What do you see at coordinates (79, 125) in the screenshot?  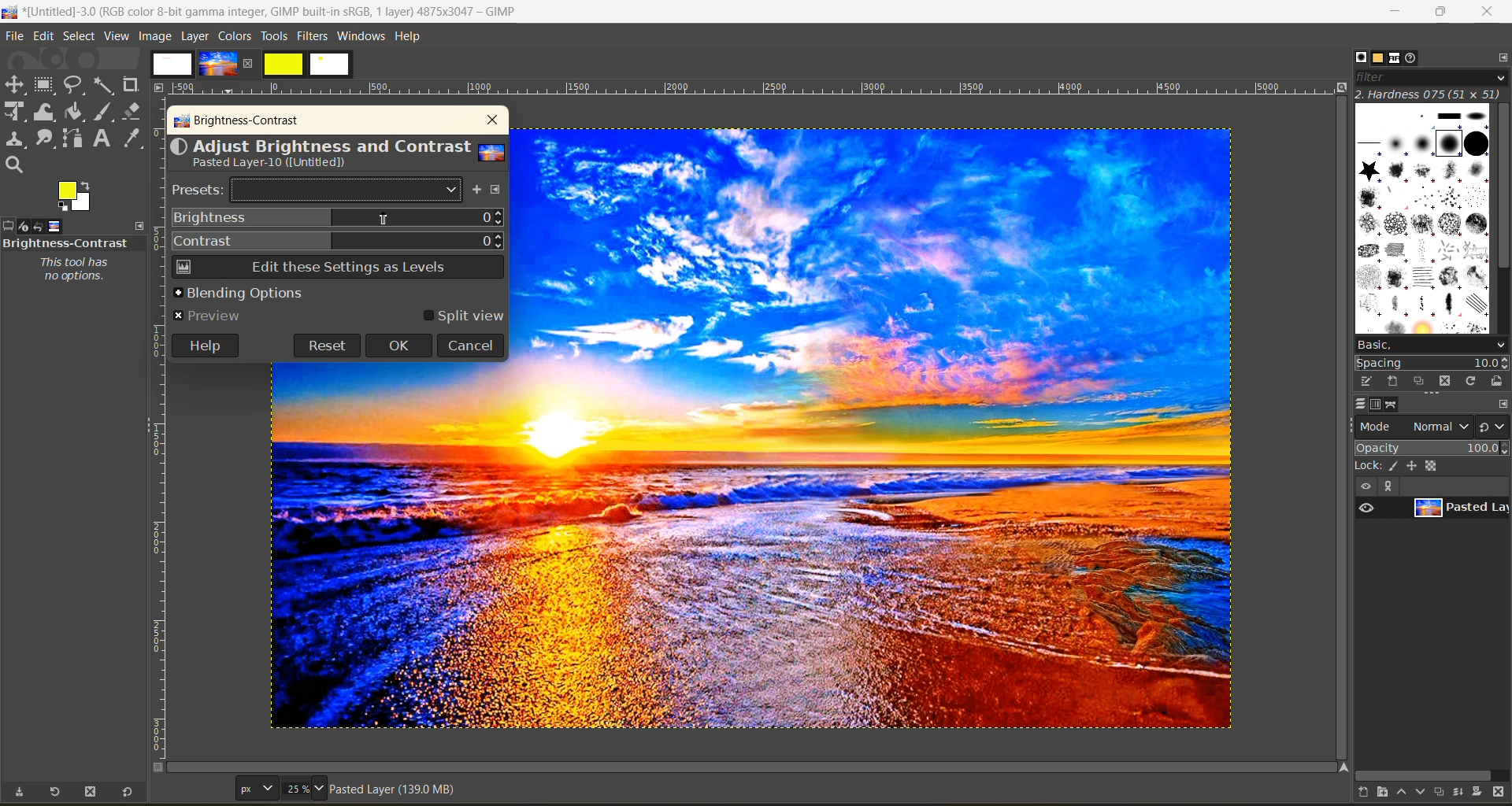 I see `tools` at bounding box center [79, 125].